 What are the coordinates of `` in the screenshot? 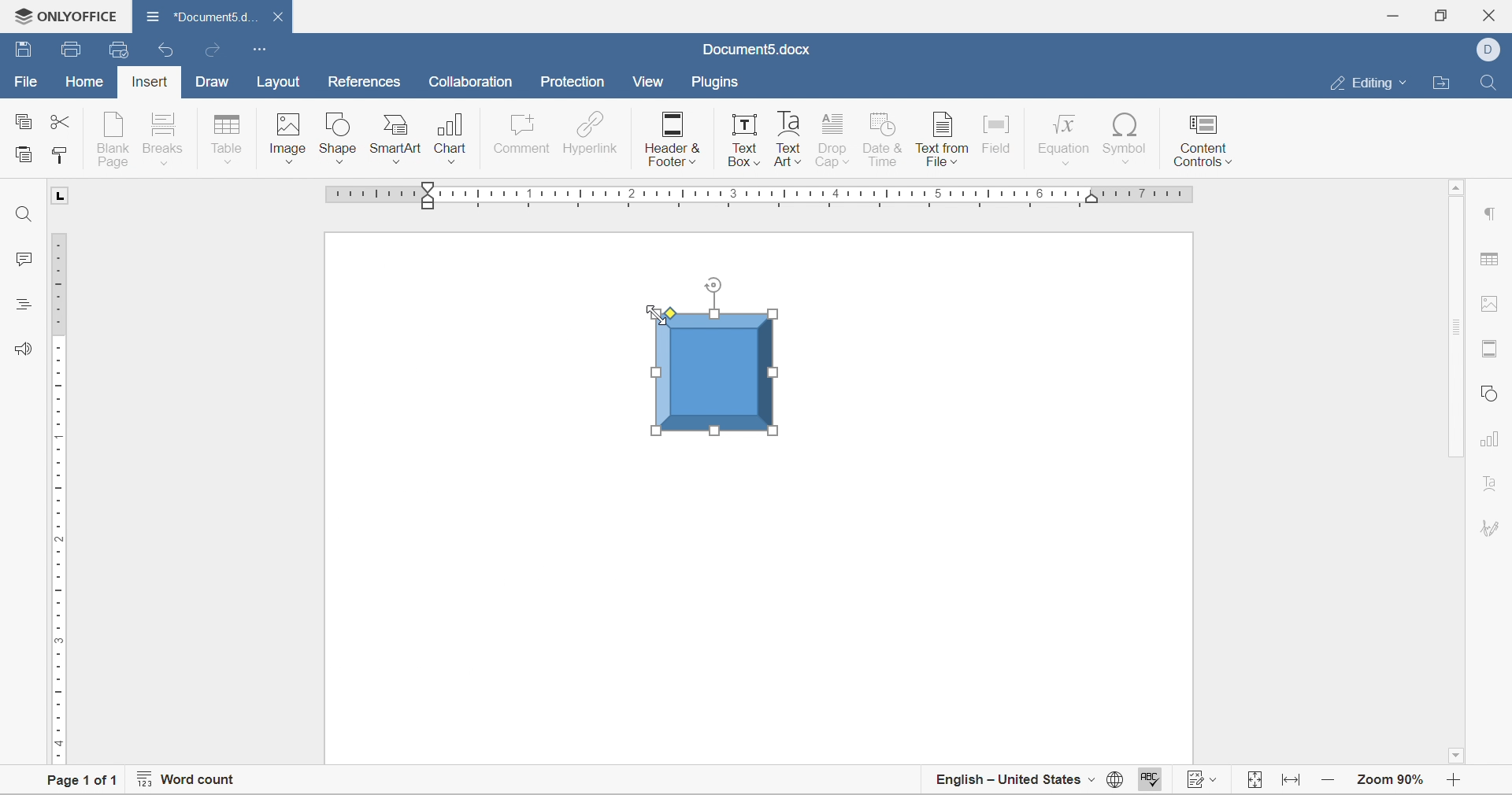 It's located at (397, 164).